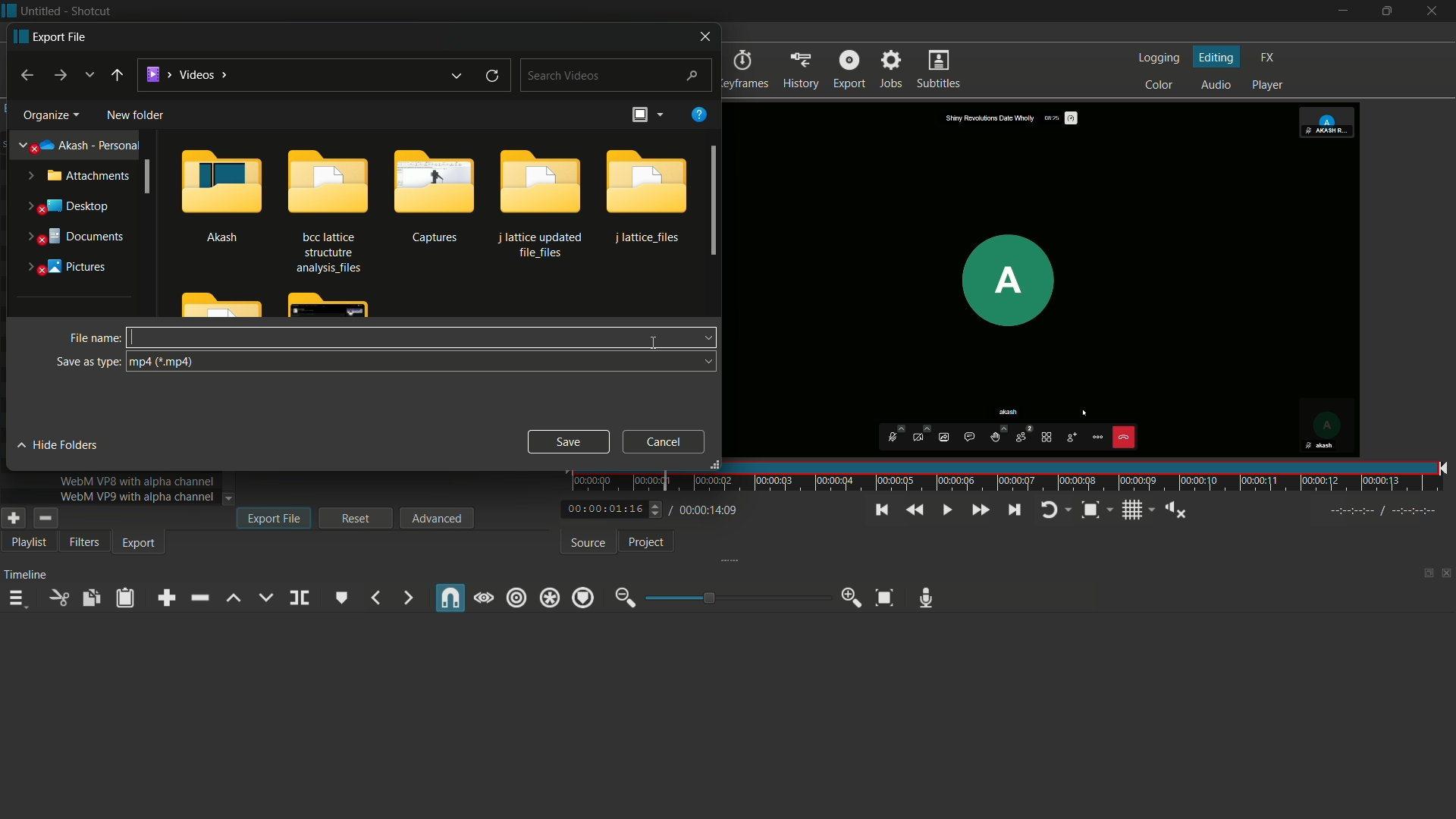  Describe the element at coordinates (89, 597) in the screenshot. I see `copy checked filters` at that location.